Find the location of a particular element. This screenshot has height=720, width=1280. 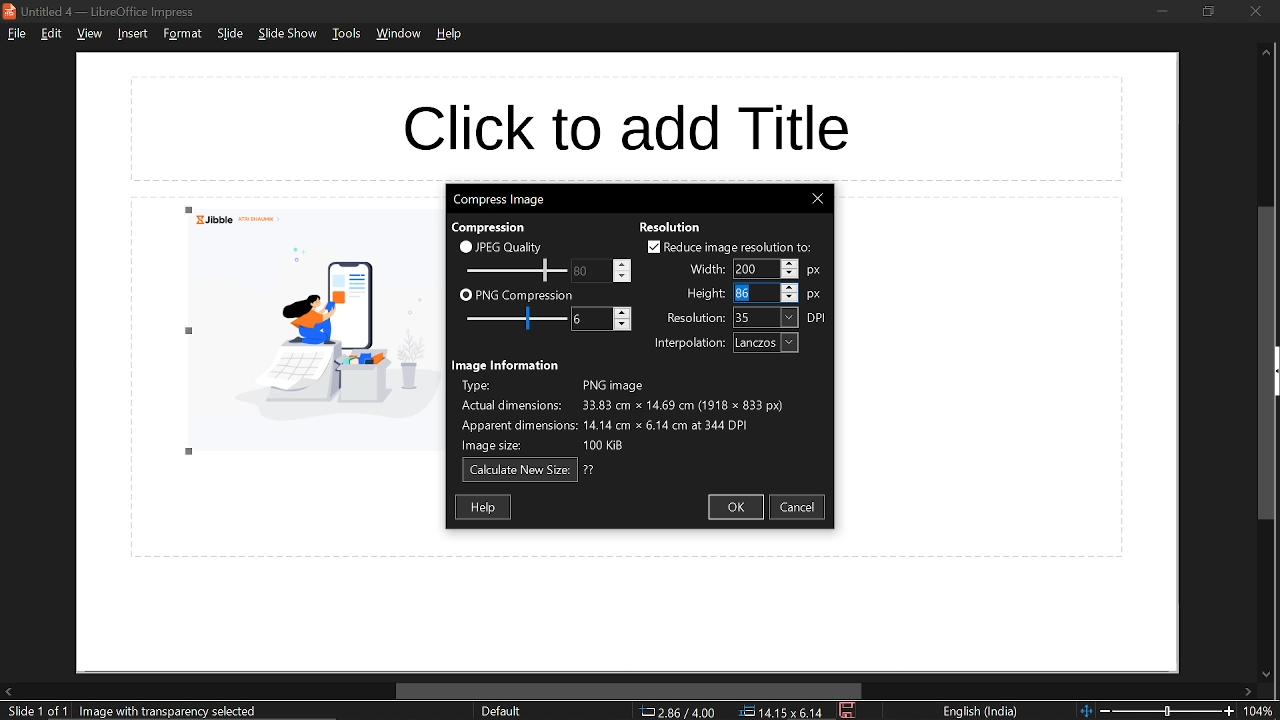

resolution is located at coordinates (766, 318).